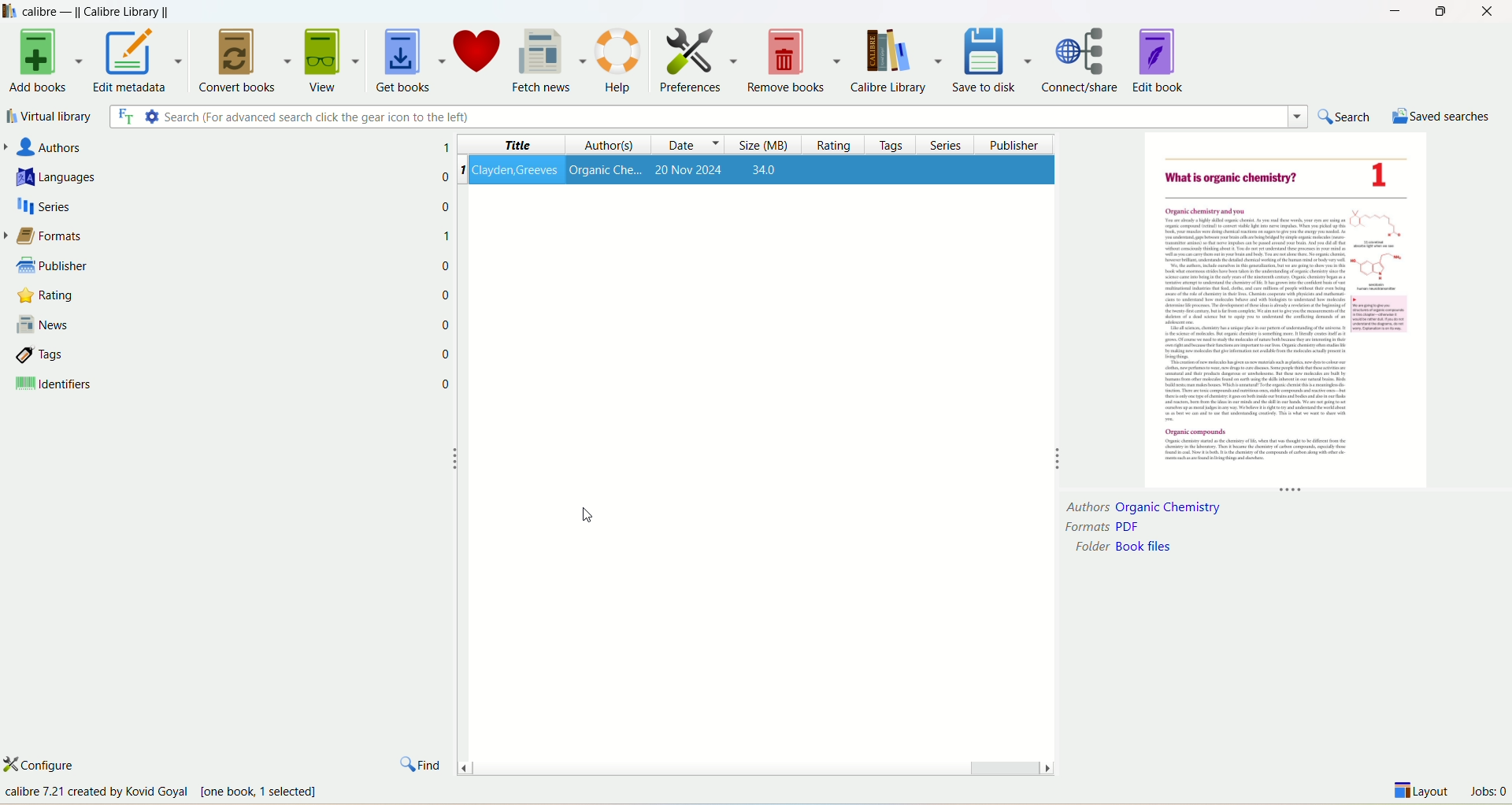 The width and height of the screenshot is (1512, 805). Describe the element at coordinates (1085, 58) in the screenshot. I see `coonect/share` at that location.